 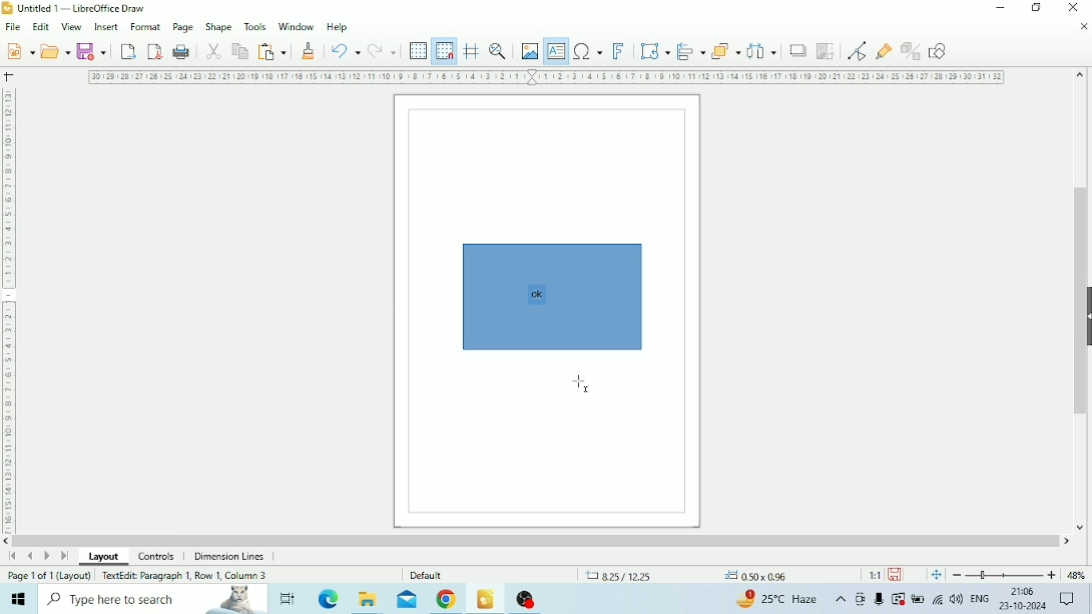 I want to click on OBS Studio, so click(x=530, y=600).